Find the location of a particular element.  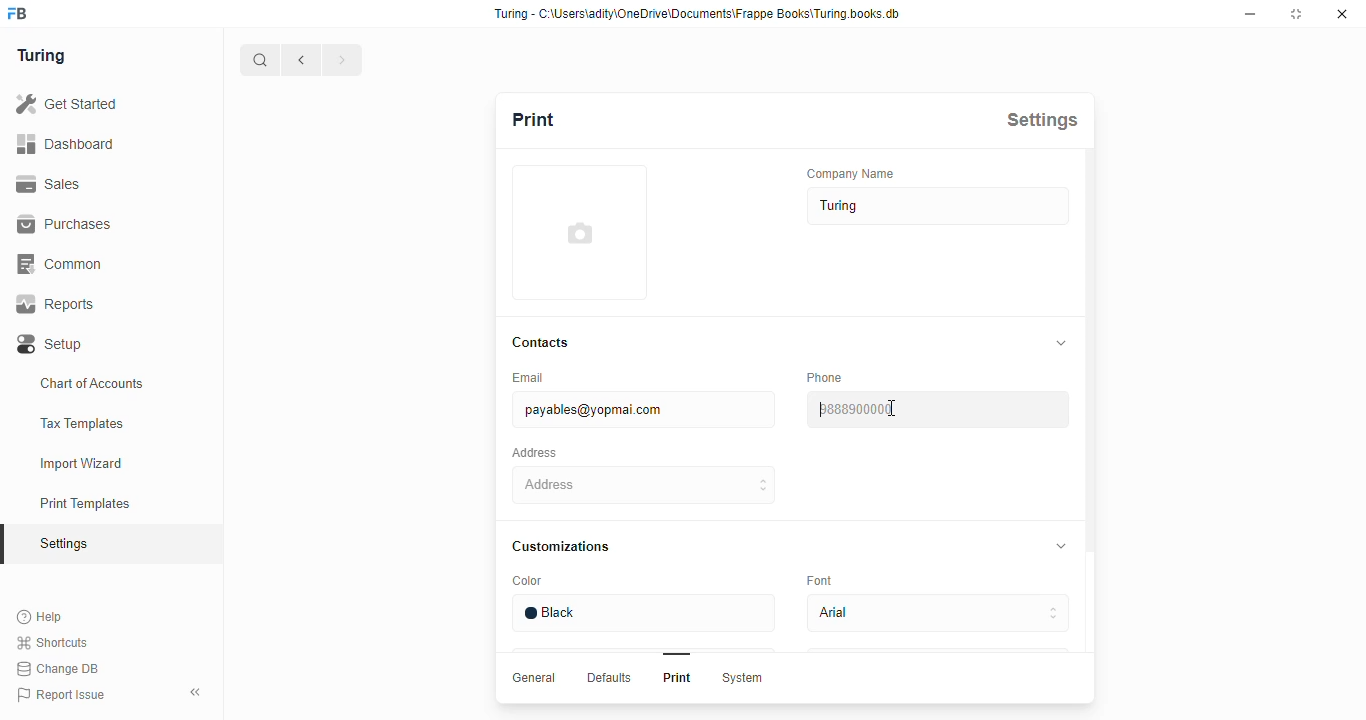

cursor is located at coordinates (895, 407).